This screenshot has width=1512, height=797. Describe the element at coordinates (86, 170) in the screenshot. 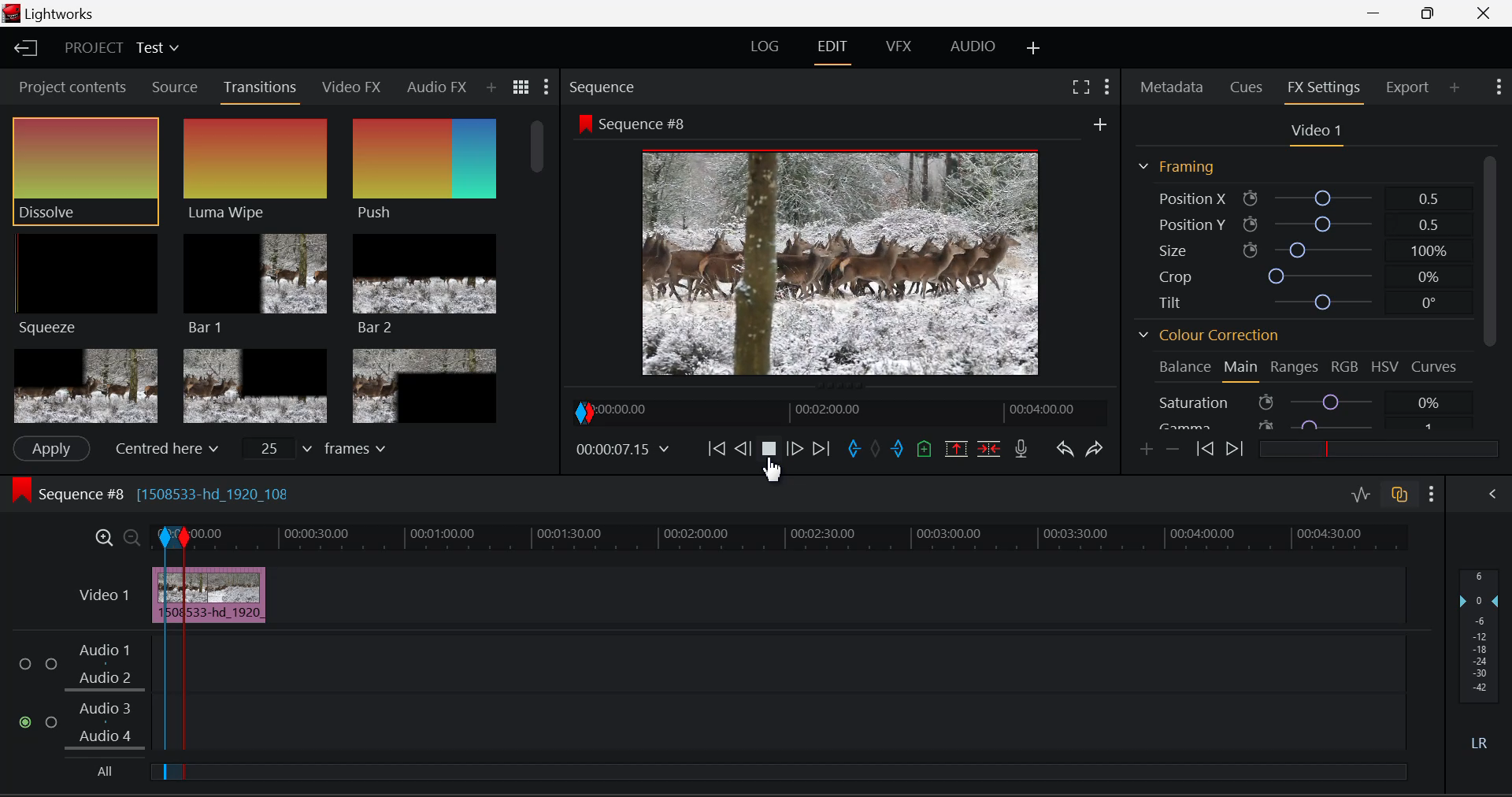

I see `Dissolve` at that location.